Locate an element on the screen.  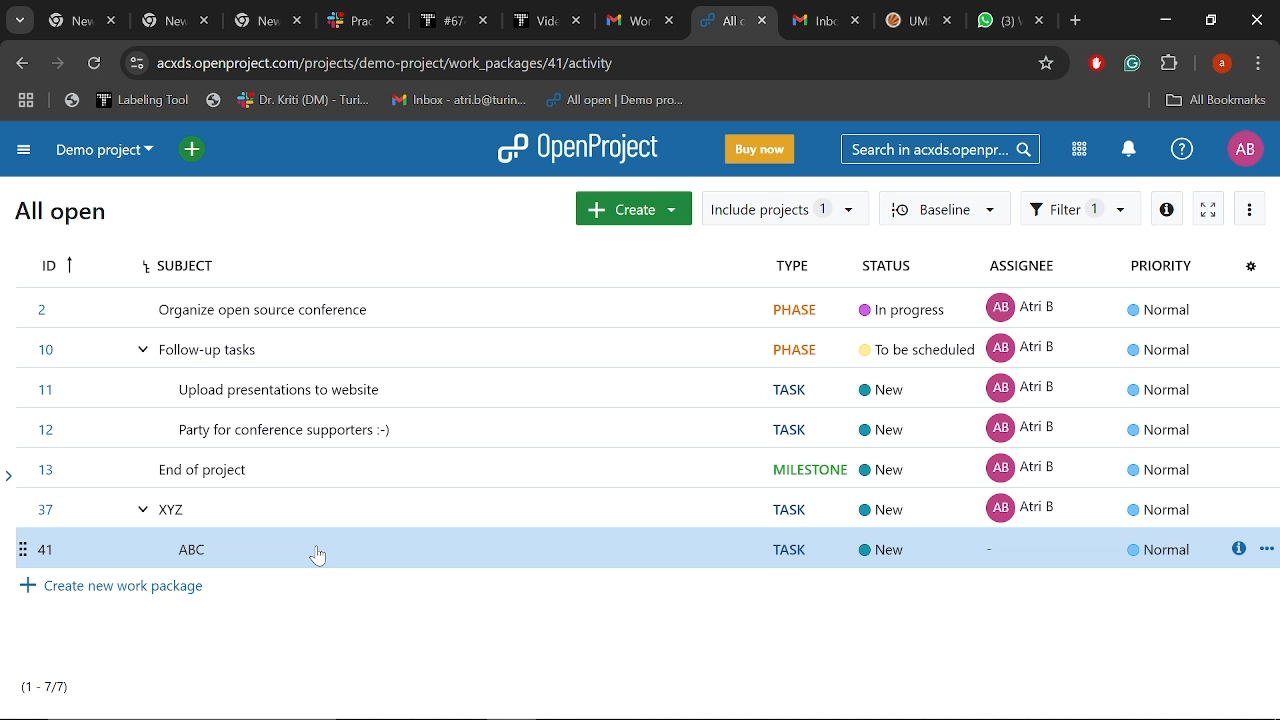
Adblock is located at coordinates (1095, 65).